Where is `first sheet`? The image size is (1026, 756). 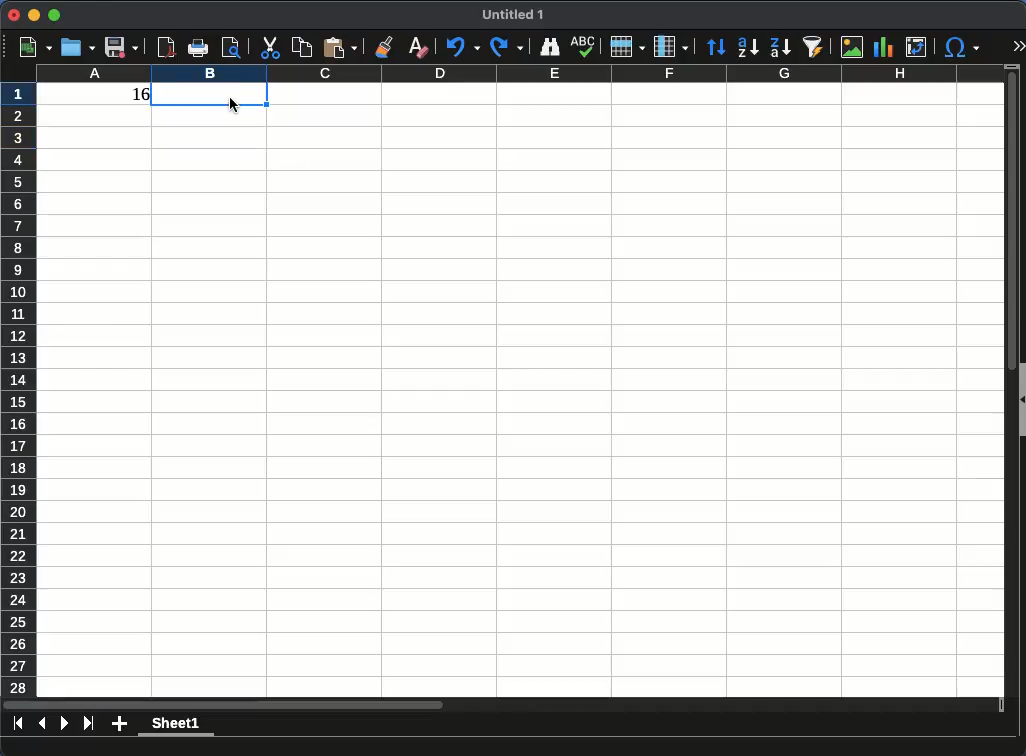 first sheet is located at coordinates (19, 723).